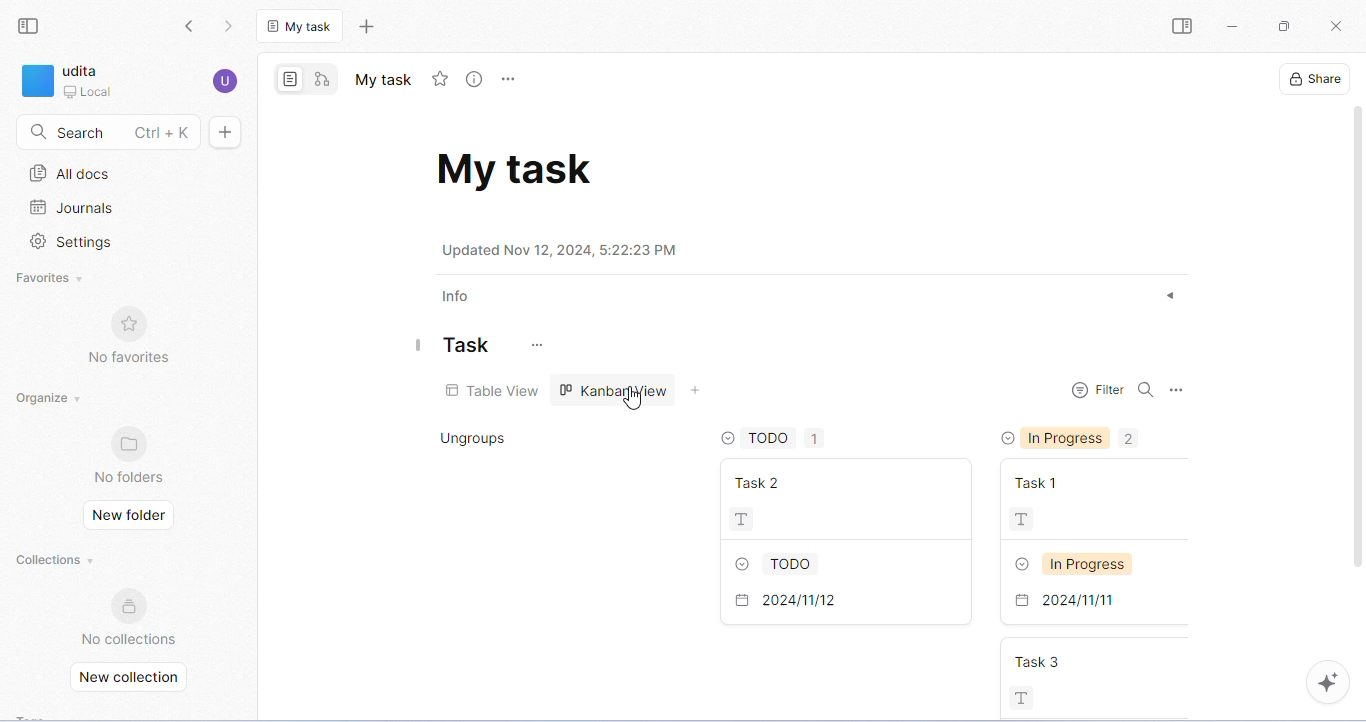  What do you see at coordinates (477, 81) in the screenshot?
I see `view info` at bounding box center [477, 81].